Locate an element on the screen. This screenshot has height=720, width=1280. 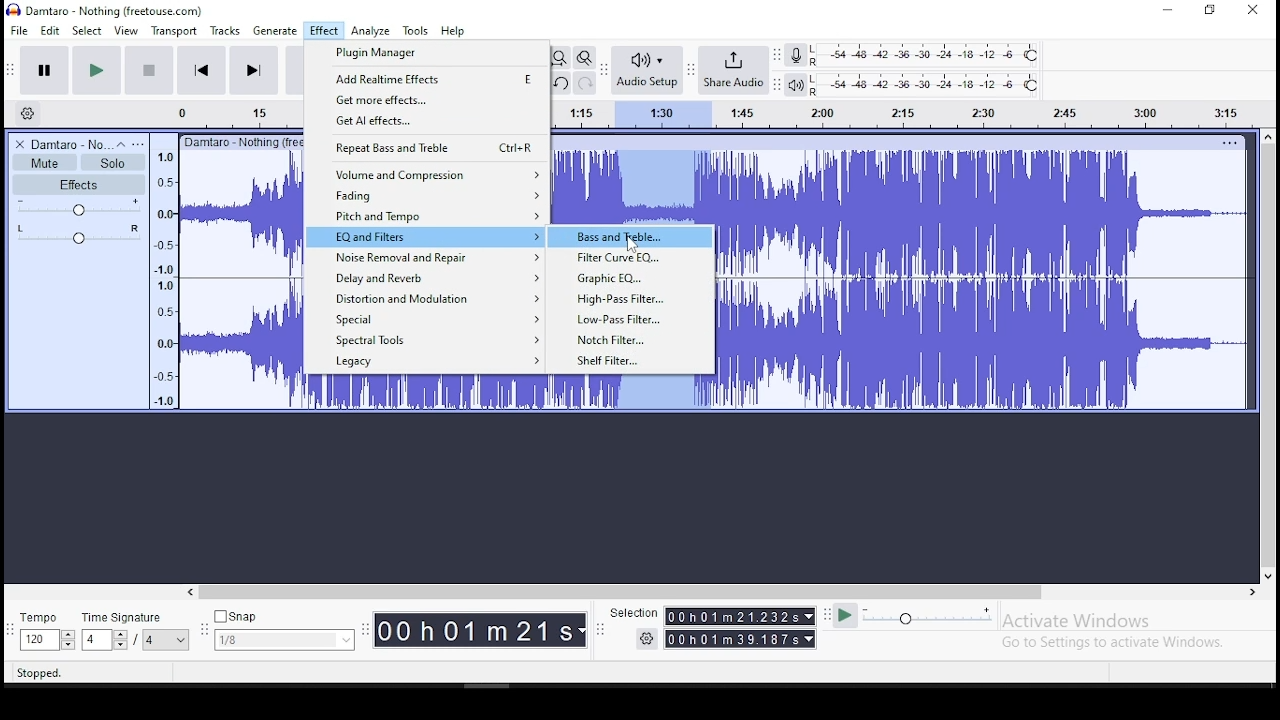
solo is located at coordinates (113, 163).